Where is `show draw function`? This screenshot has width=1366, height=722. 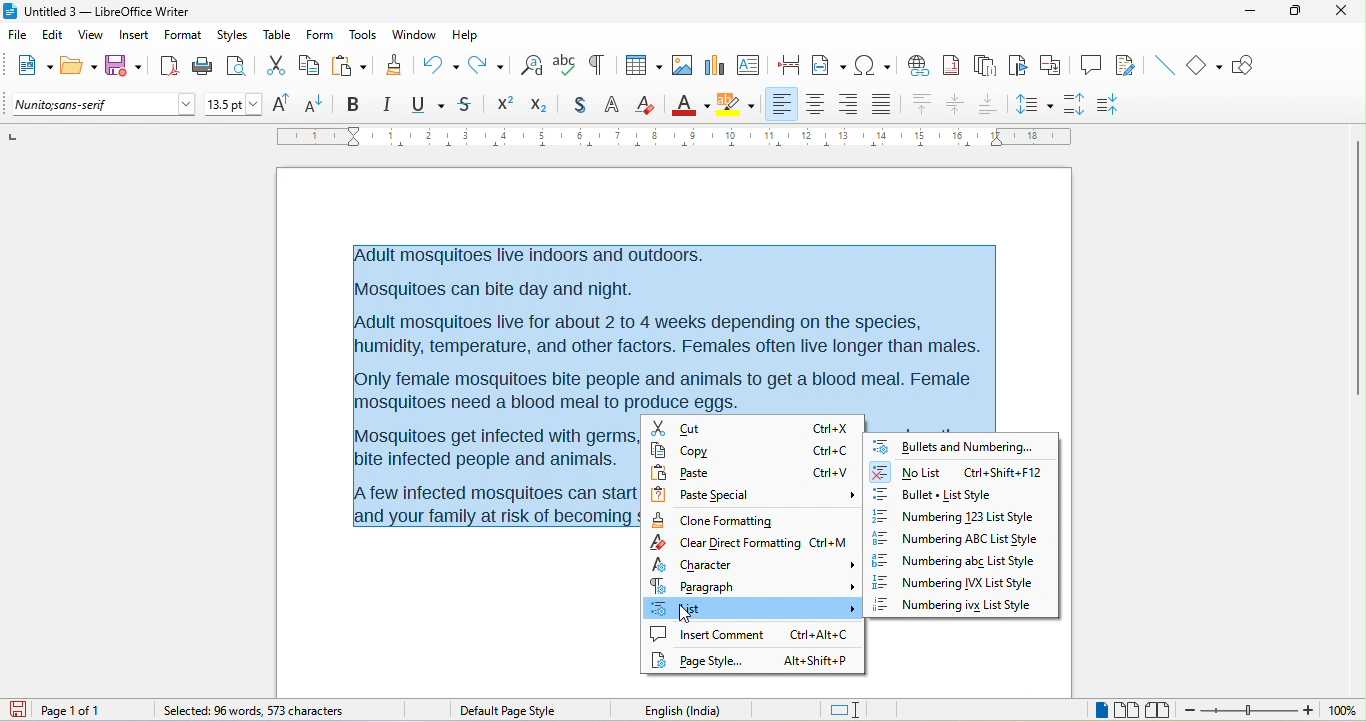 show draw function is located at coordinates (1252, 67).